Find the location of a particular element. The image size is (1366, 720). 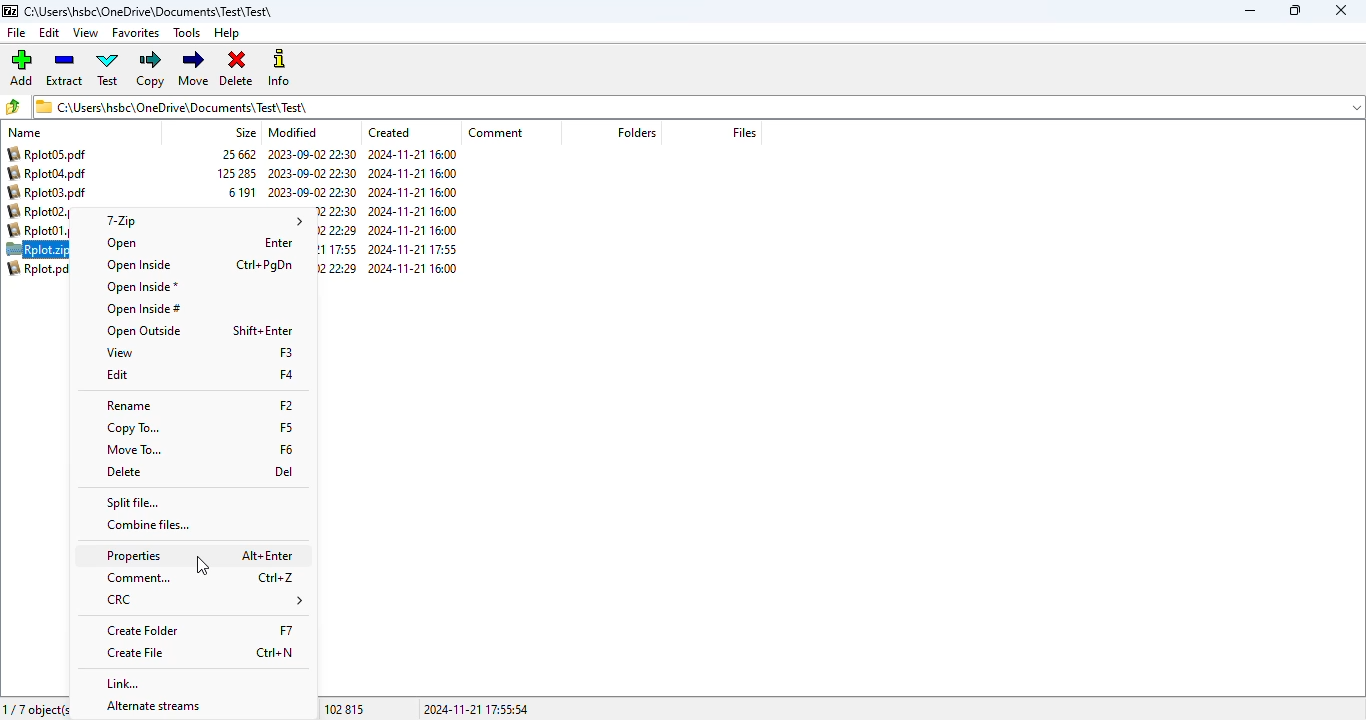

Rplot04.pdf 125285 2023-09-02 22:30 2024-11-21 16:00 is located at coordinates (235, 174).